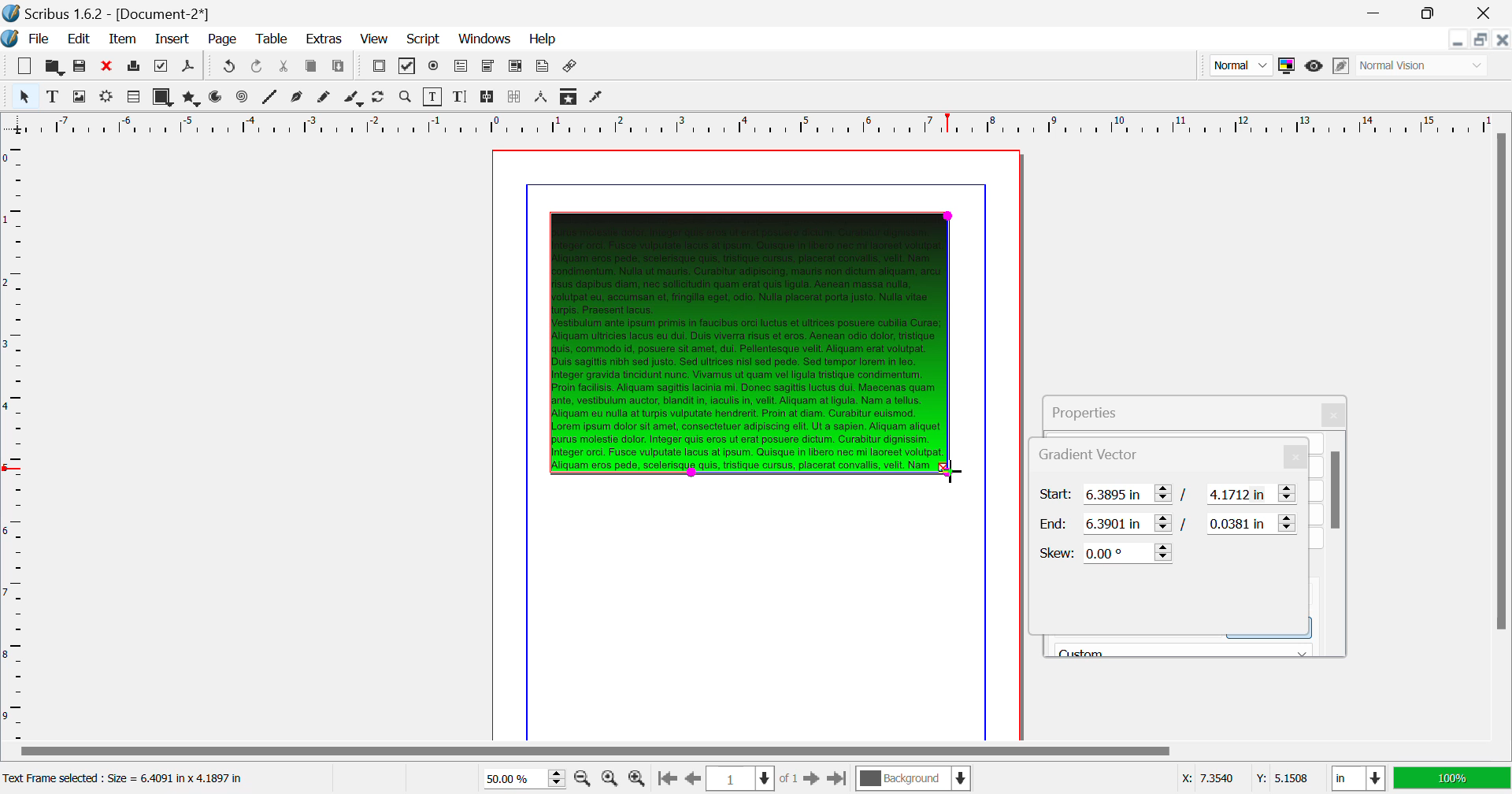 The width and height of the screenshot is (1512, 794). Describe the element at coordinates (298, 98) in the screenshot. I see `Bezier Curve` at that location.